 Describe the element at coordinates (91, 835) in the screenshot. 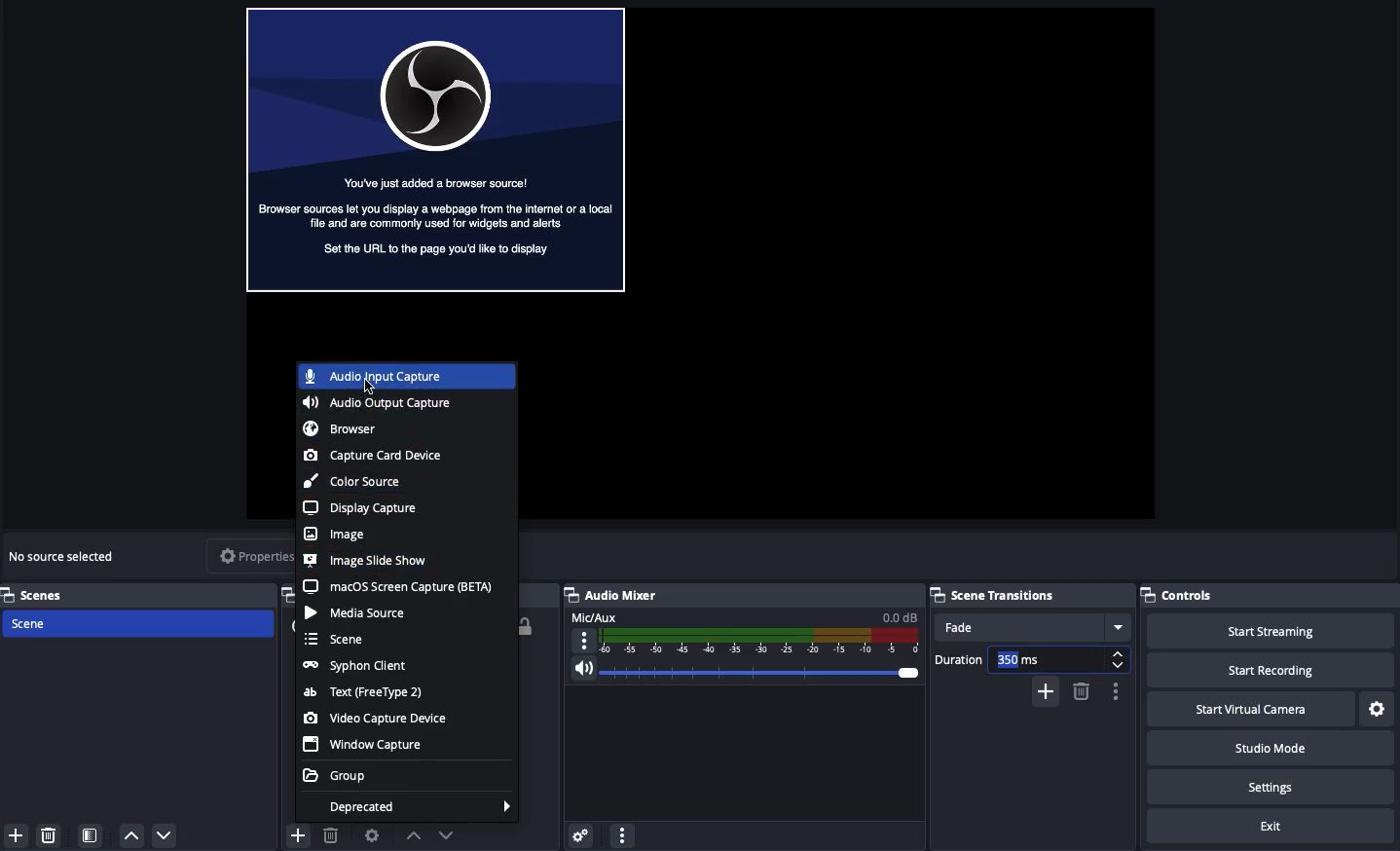

I see `Scene filter` at that location.